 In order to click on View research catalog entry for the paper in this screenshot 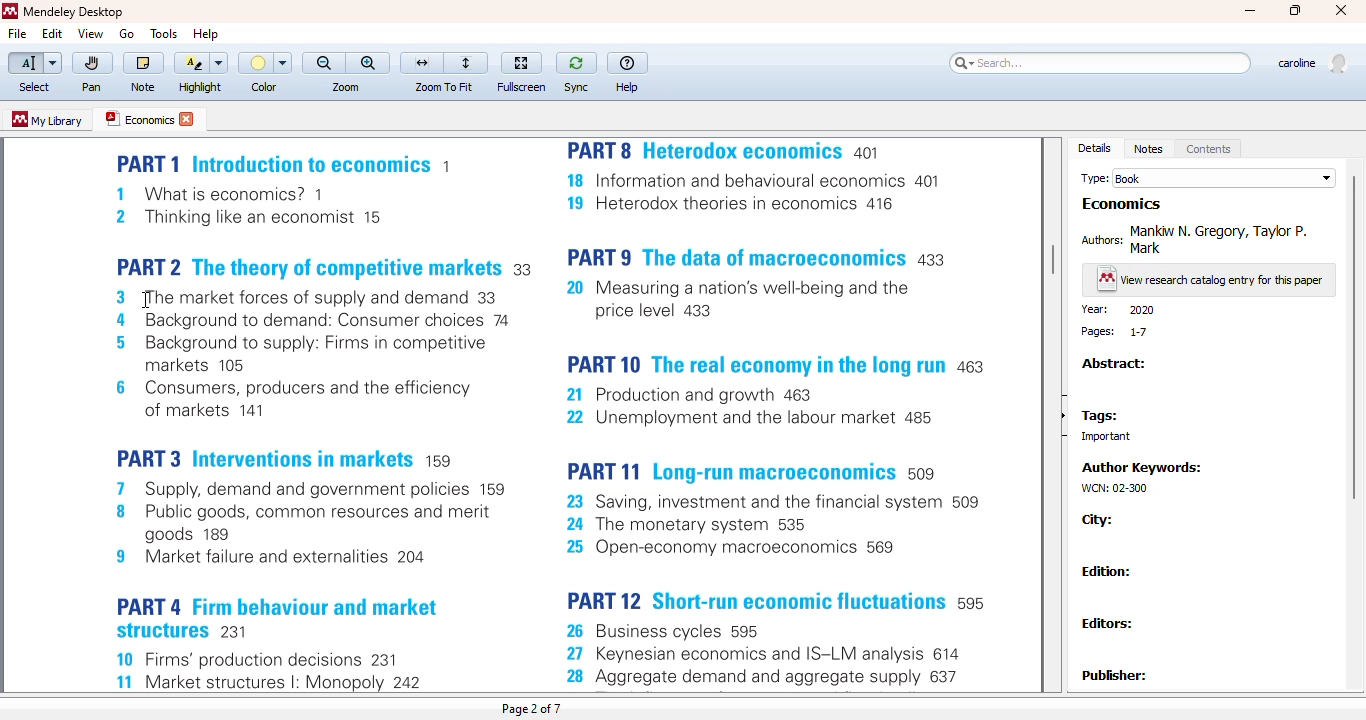, I will do `click(1208, 277)`.